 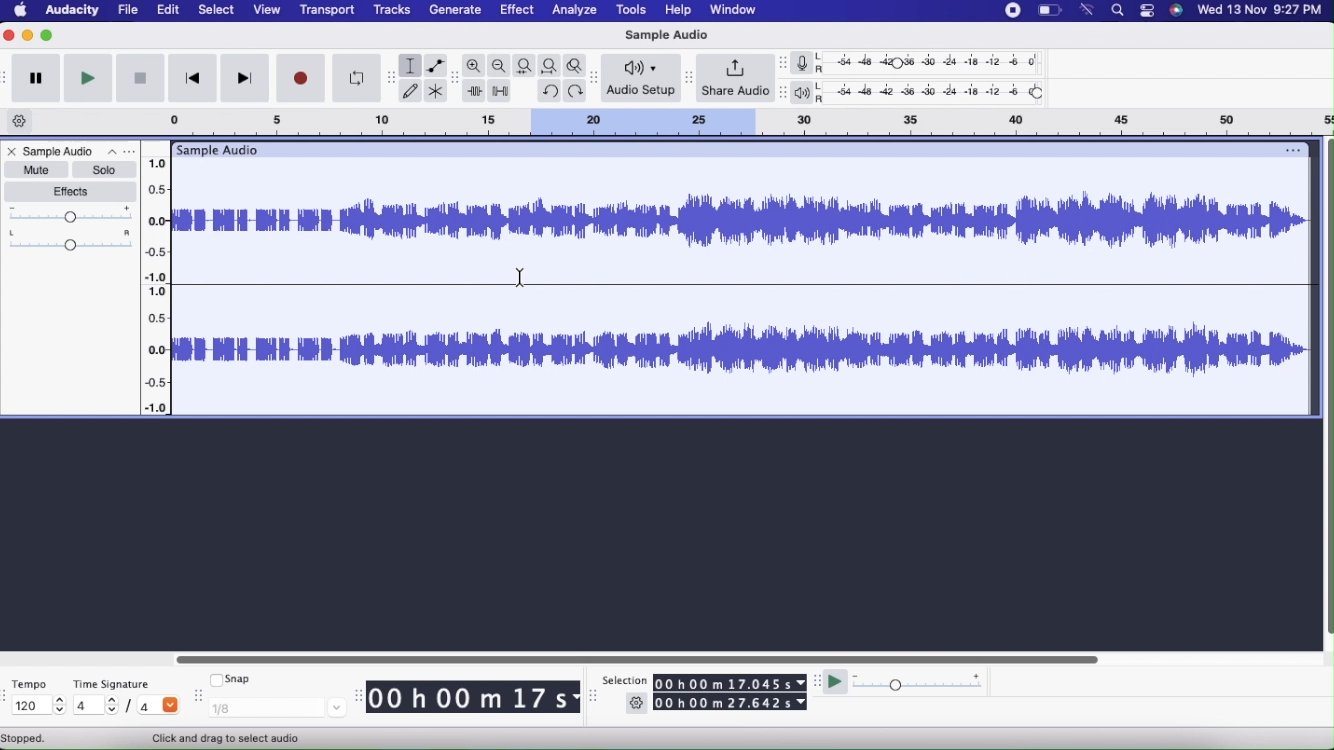 I want to click on Multi-tool, so click(x=437, y=92).